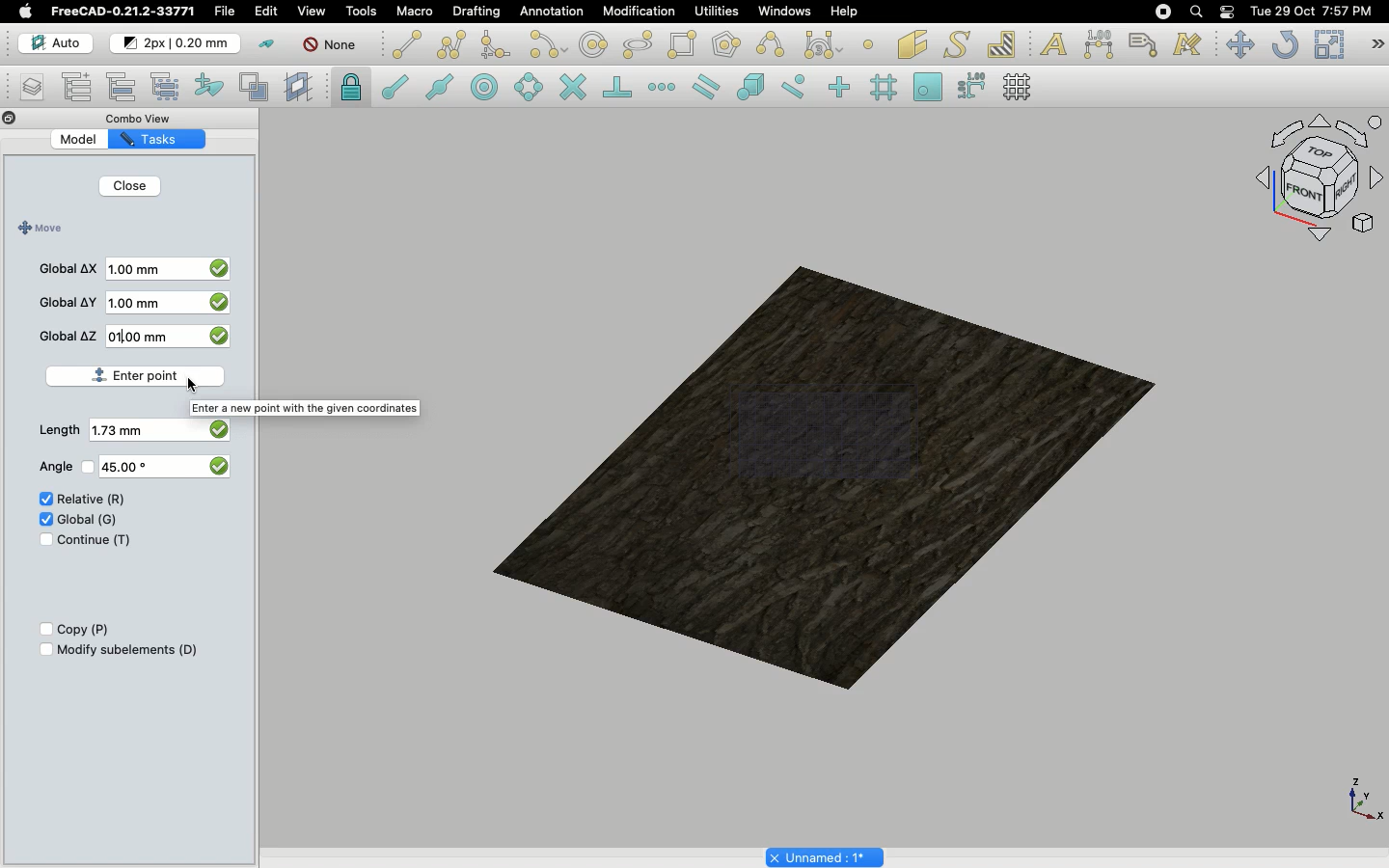 This screenshot has width=1389, height=868. Describe the element at coordinates (416, 12) in the screenshot. I see `Macro` at that location.